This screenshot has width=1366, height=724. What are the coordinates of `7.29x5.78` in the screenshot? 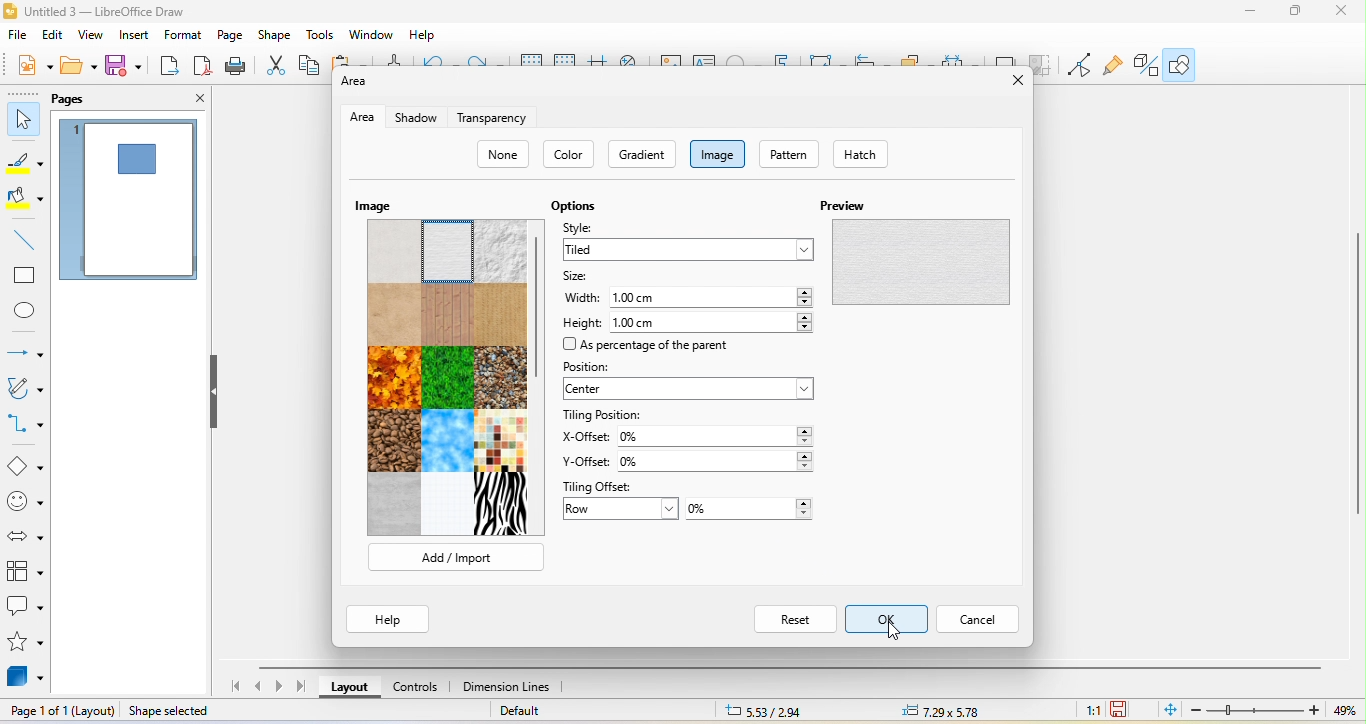 It's located at (945, 711).